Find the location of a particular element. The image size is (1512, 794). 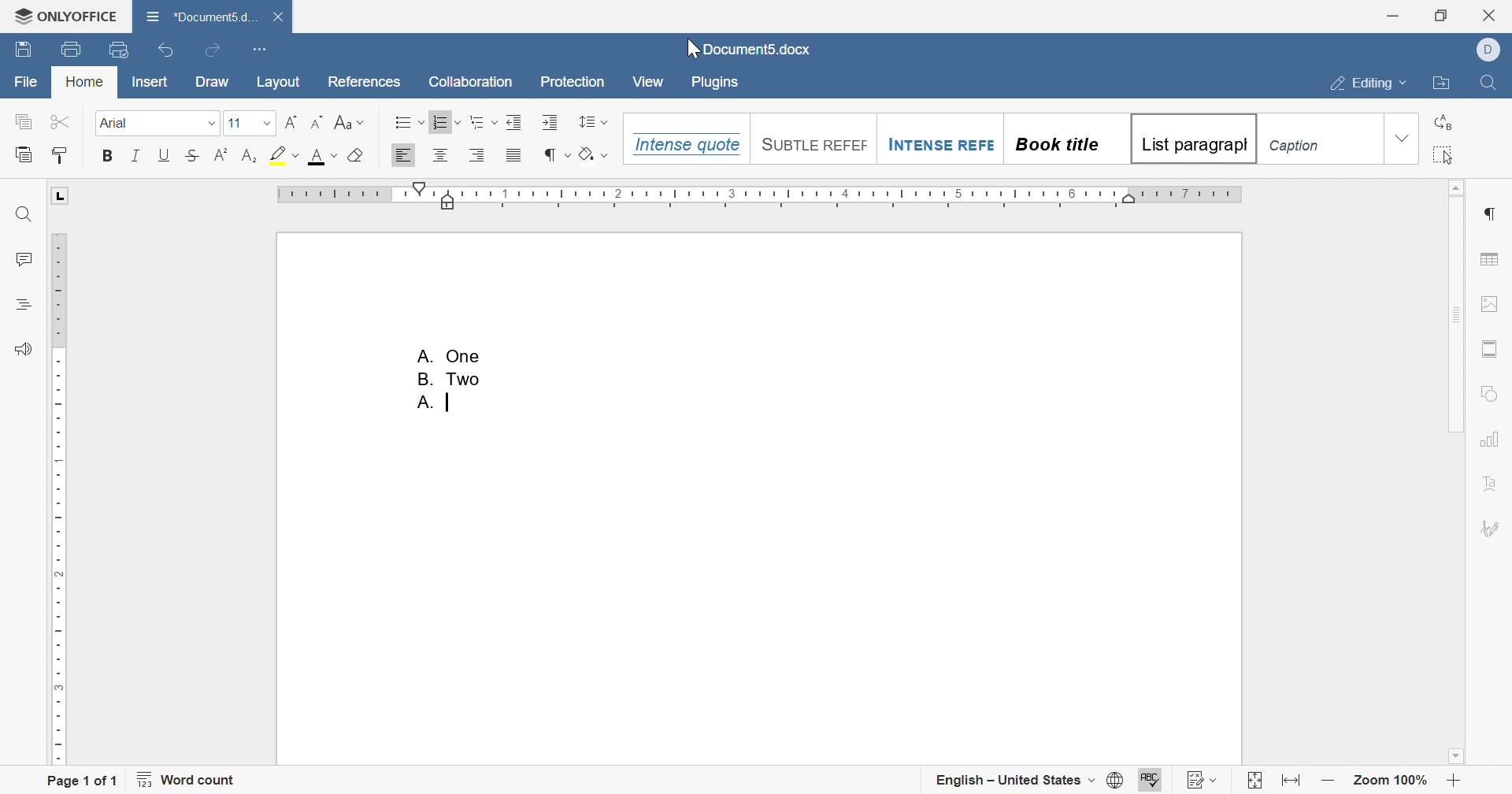

Strikethrough is located at coordinates (193, 154).